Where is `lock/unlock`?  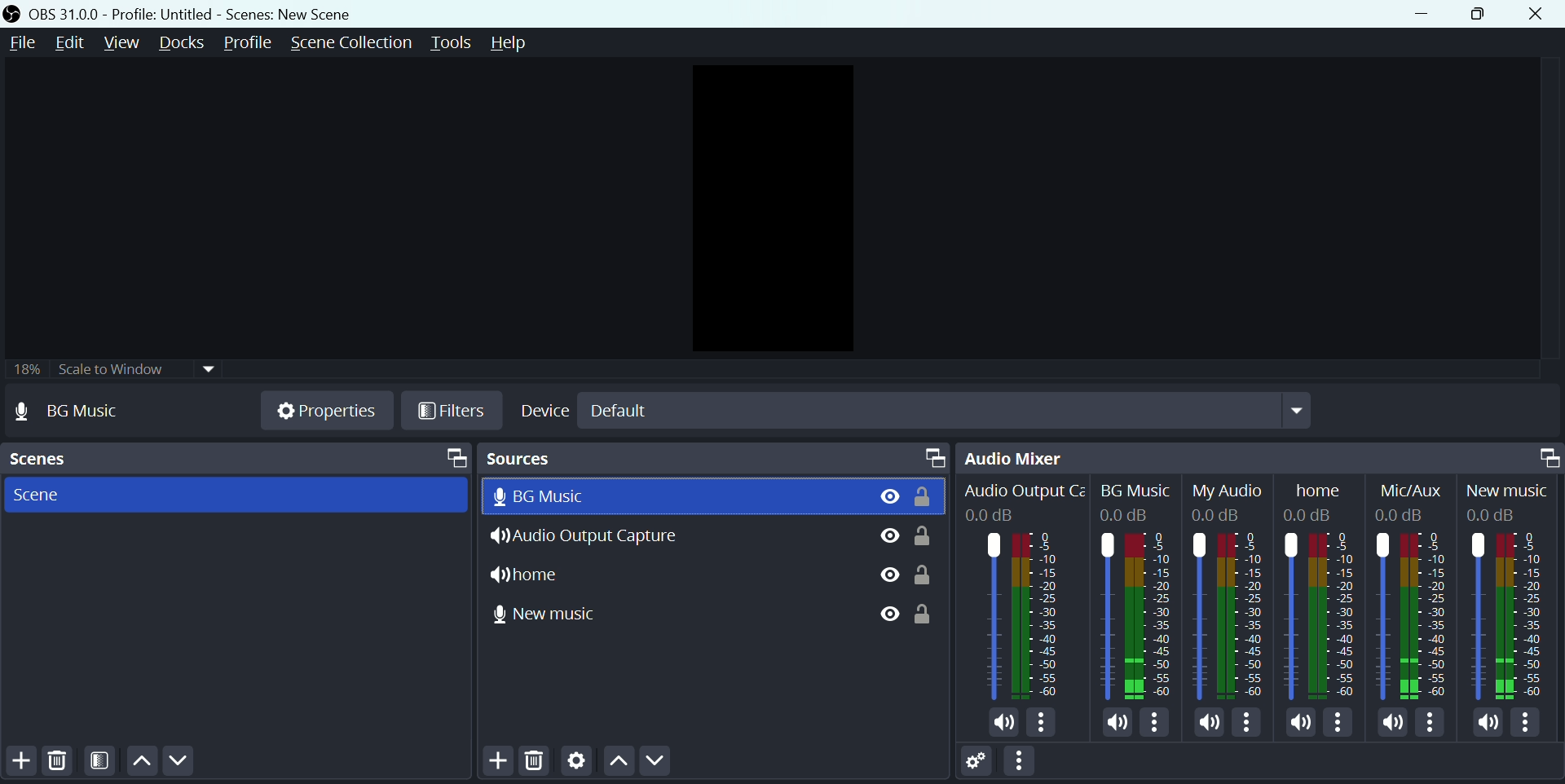
lock/unlock is located at coordinates (925, 572).